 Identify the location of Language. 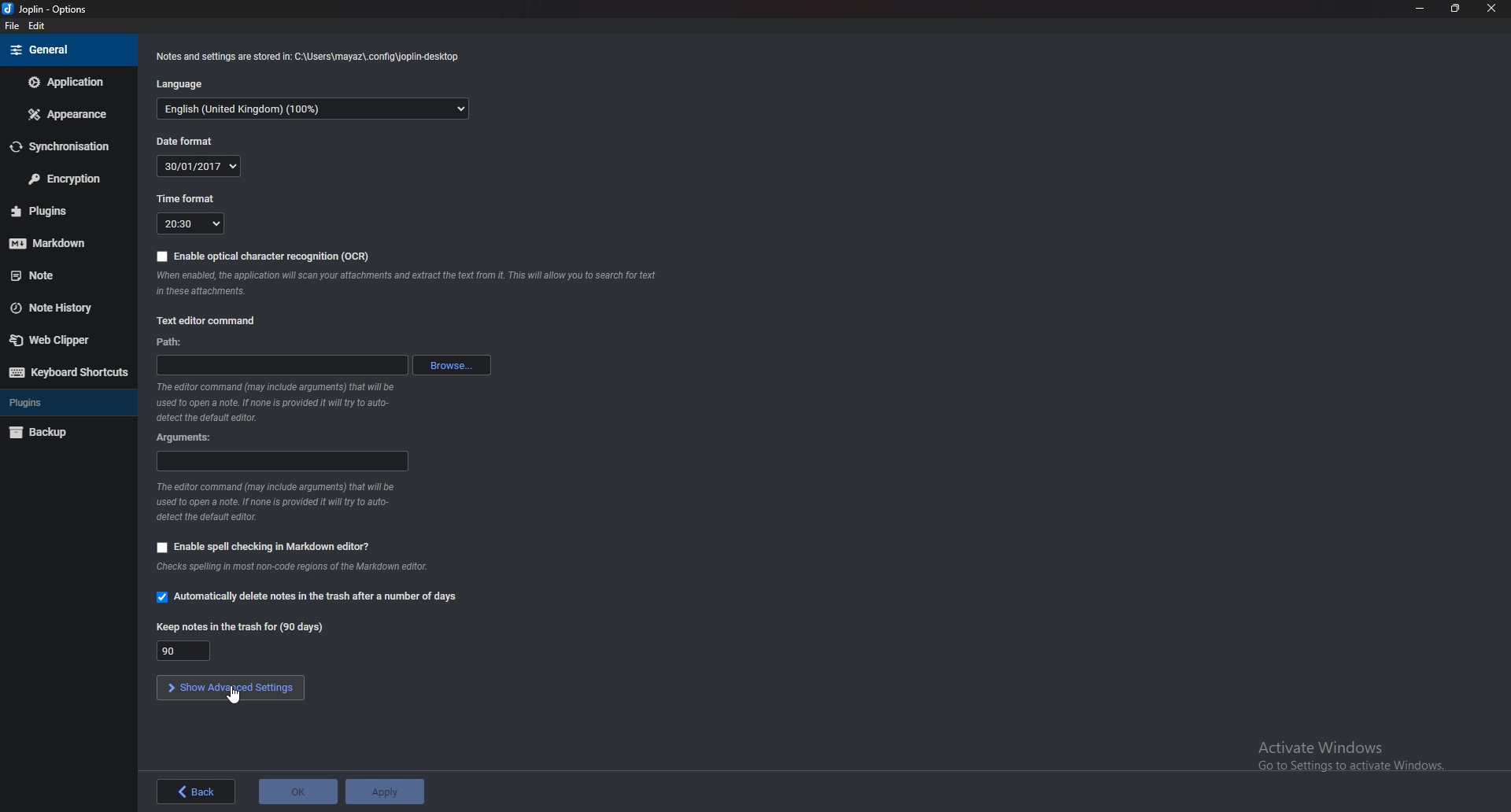
(187, 83).